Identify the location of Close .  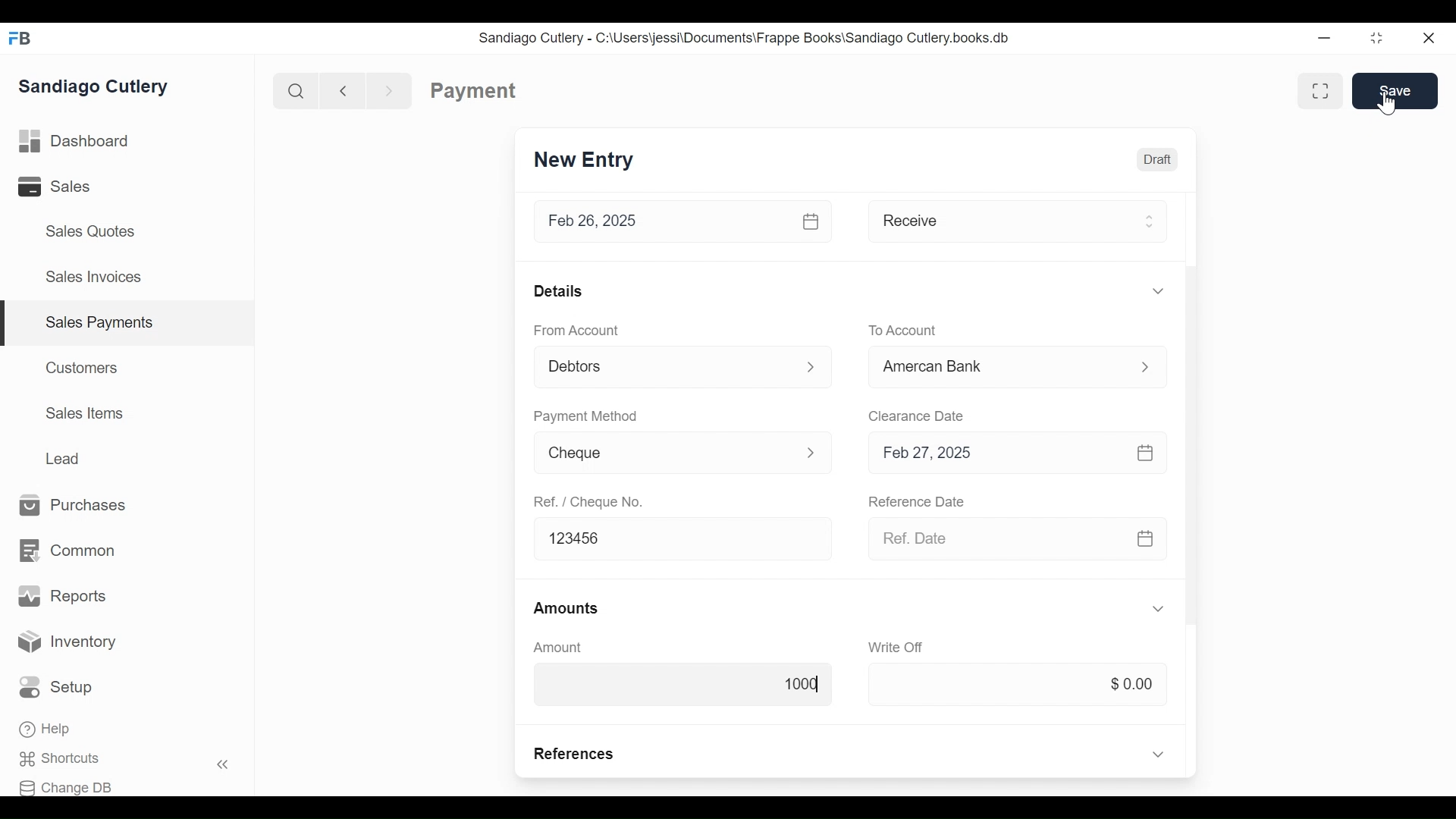
(1430, 38).